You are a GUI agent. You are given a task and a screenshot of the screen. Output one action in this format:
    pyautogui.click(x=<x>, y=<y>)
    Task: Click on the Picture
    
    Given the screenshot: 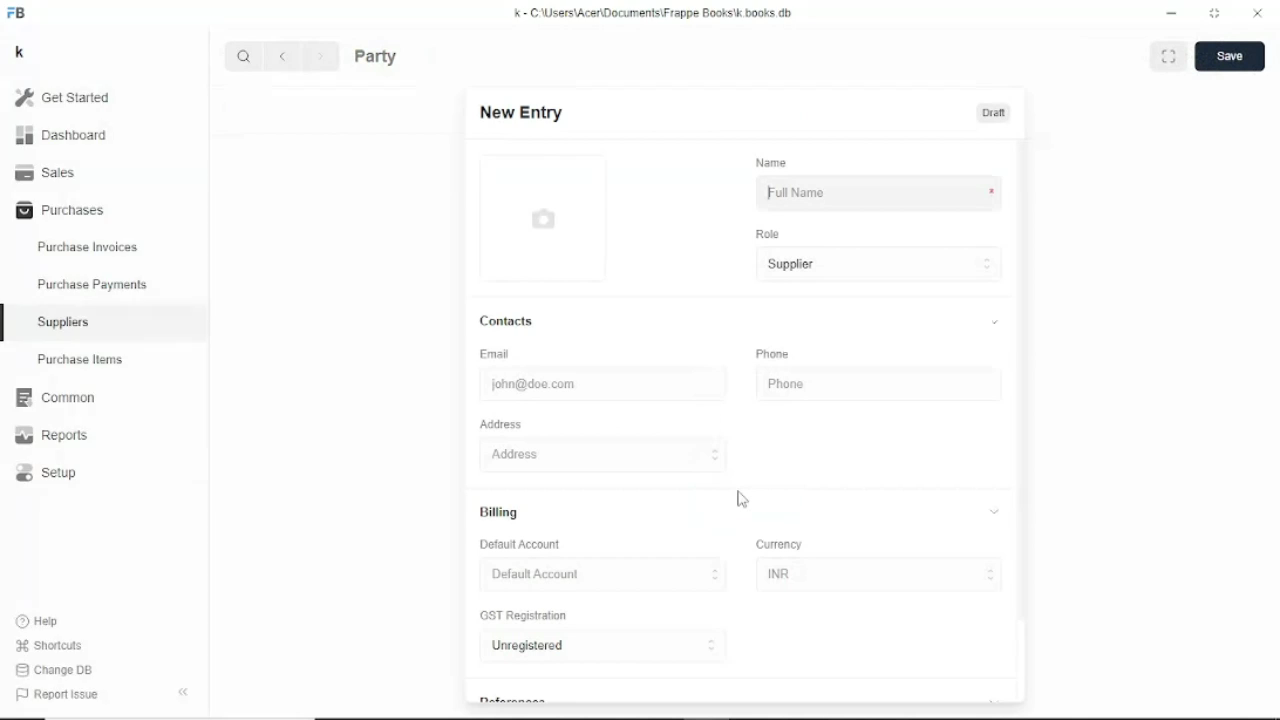 What is the action you would take?
    pyautogui.click(x=542, y=223)
    